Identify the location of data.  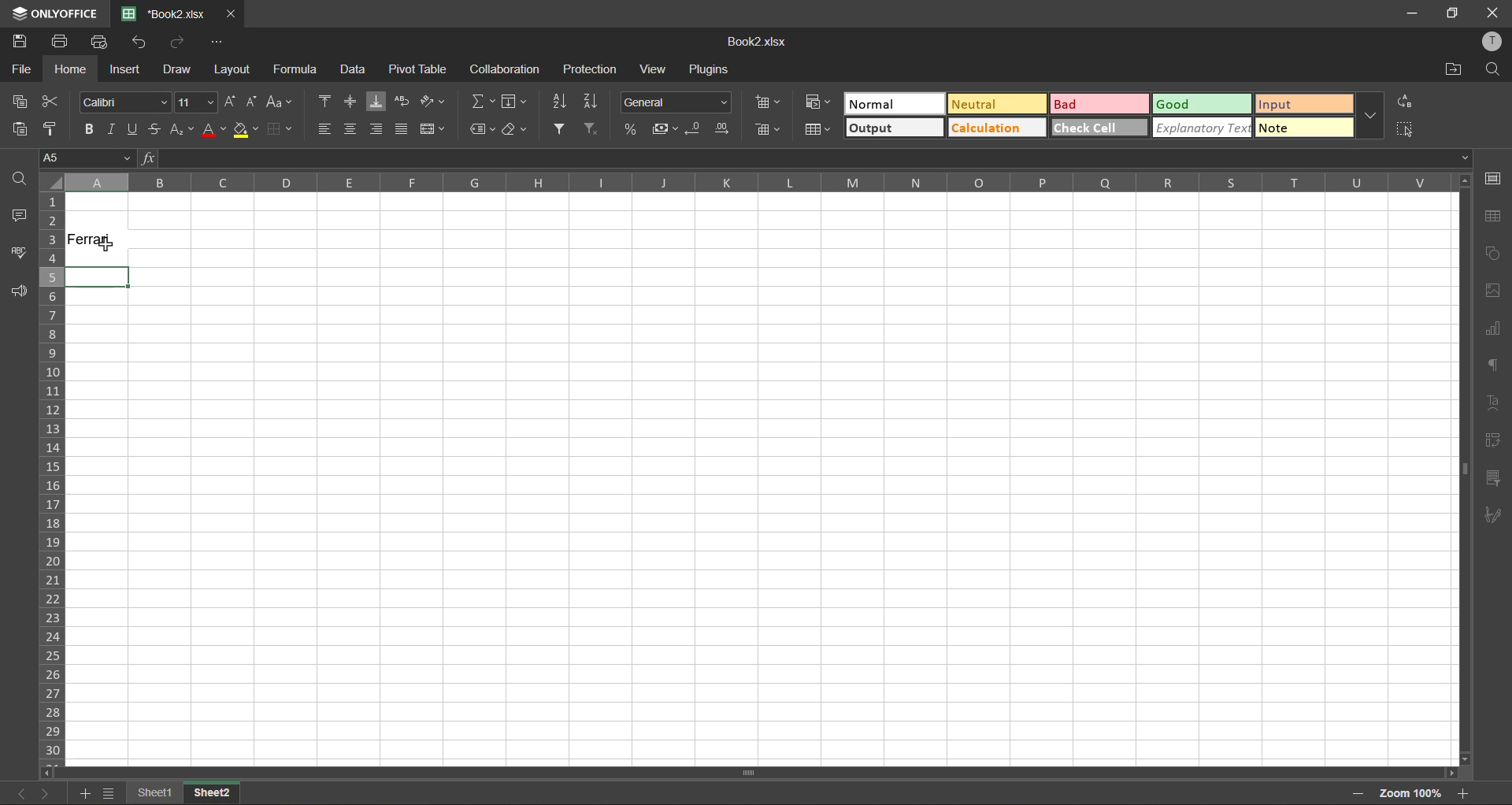
(354, 71).